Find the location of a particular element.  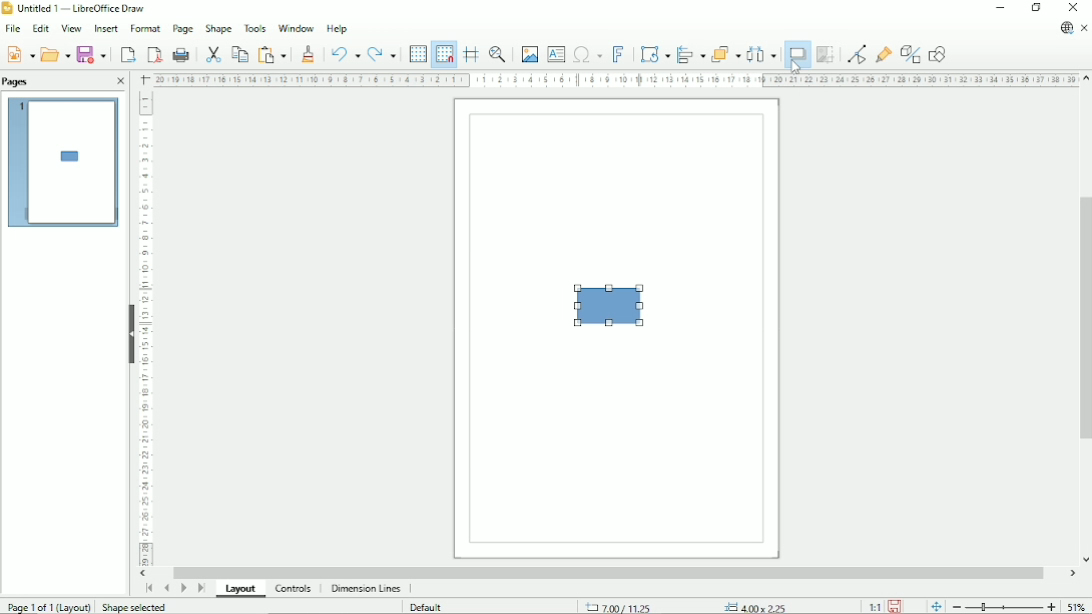

Crop image is located at coordinates (826, 55).